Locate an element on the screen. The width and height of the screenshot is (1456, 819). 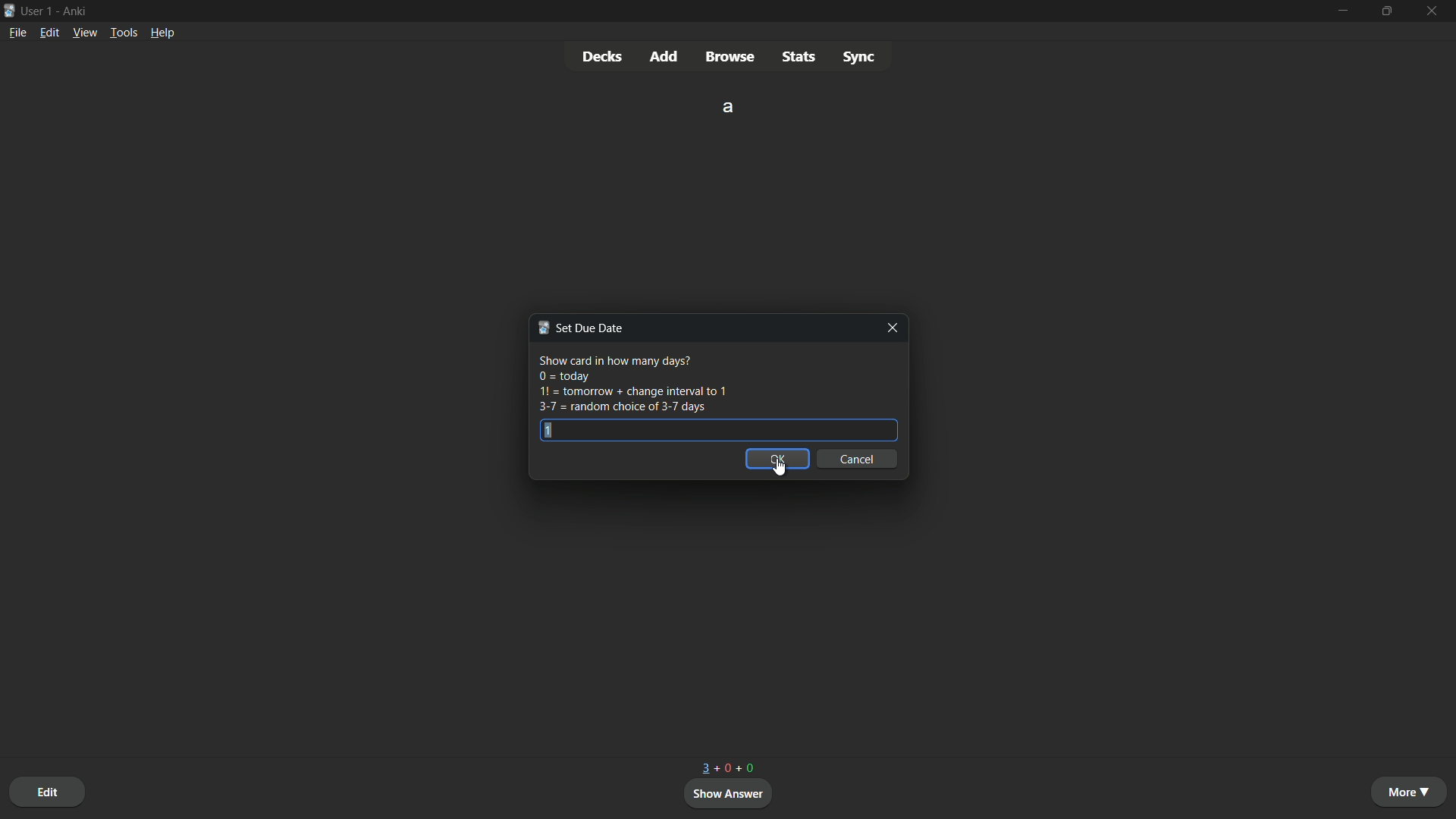
1 is located at coordinates (544, 430).